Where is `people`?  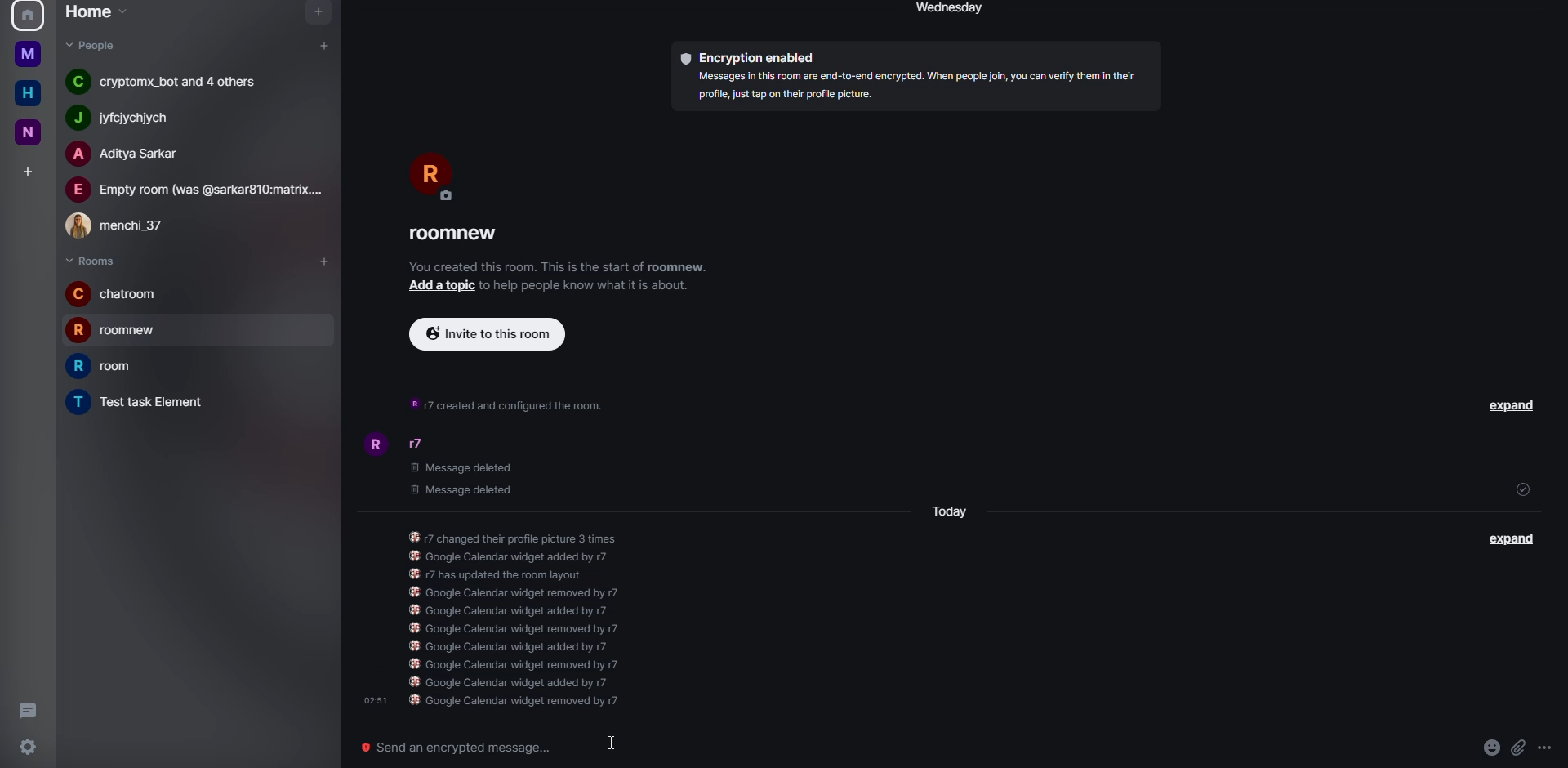
people is located at coordinates (91, 47).